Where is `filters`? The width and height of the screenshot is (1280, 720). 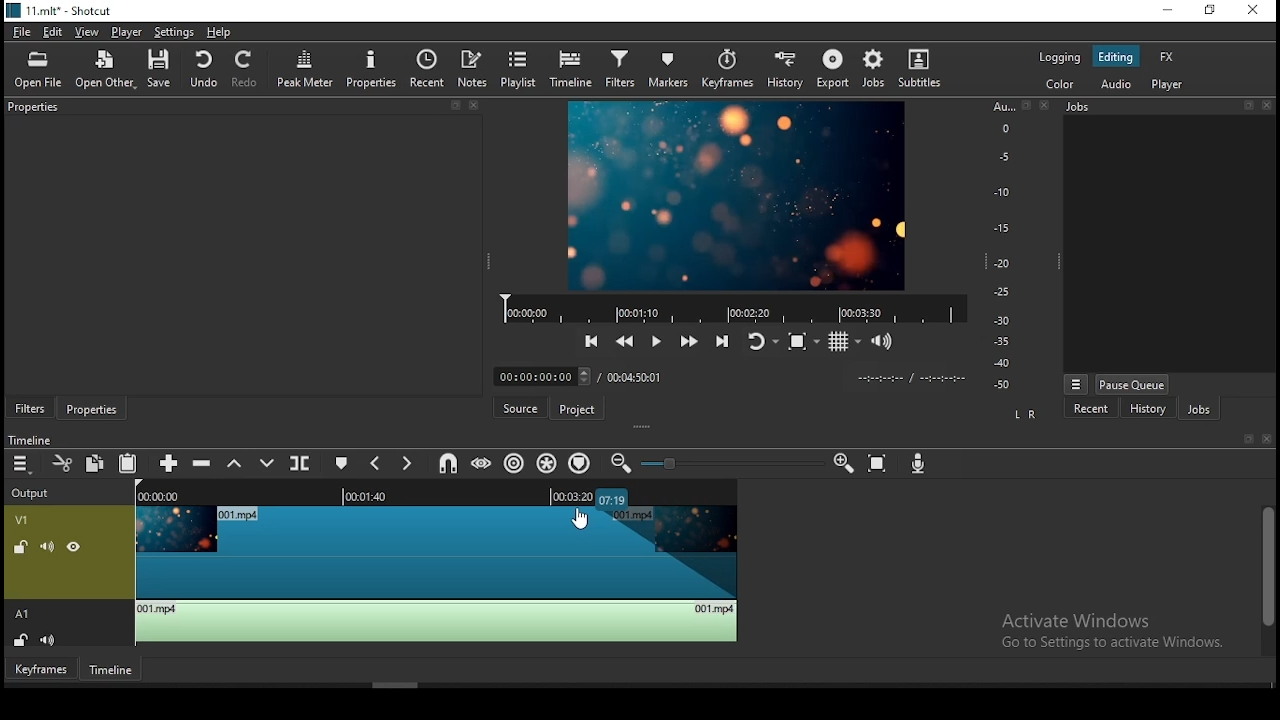
filters is located at coordinates (29, 406).